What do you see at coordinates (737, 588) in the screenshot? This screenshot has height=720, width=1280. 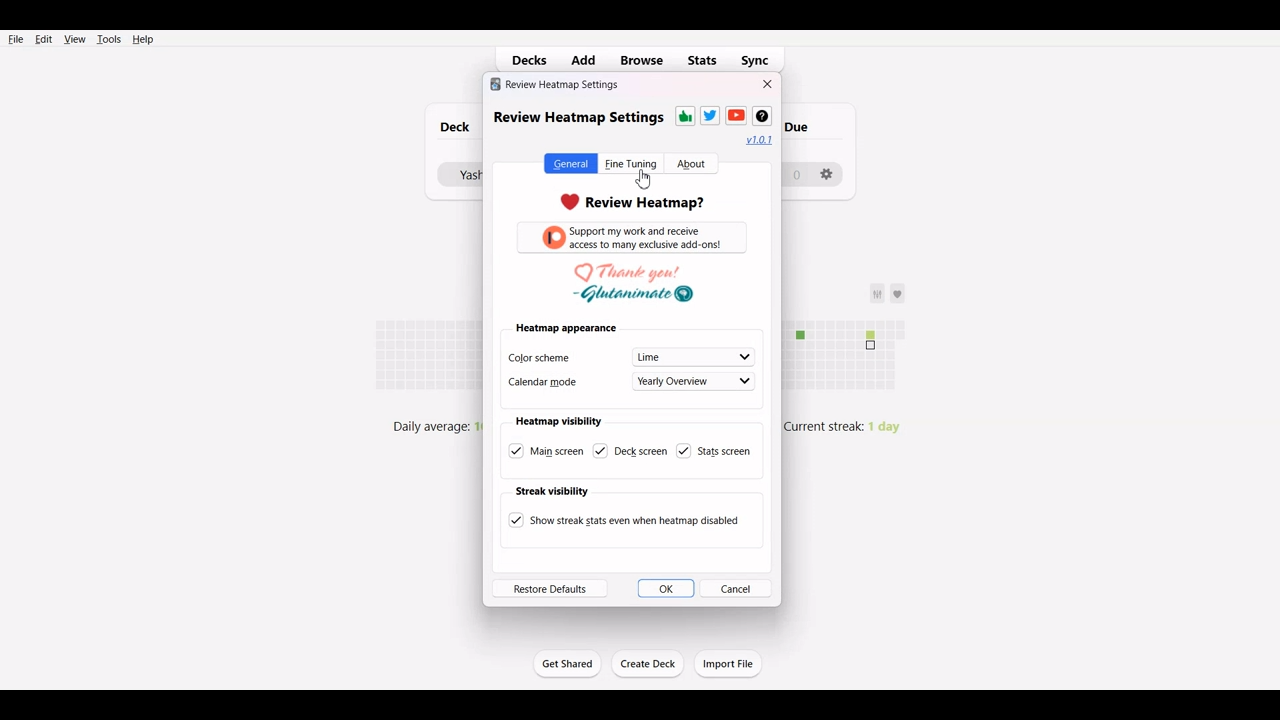 I see `Cancel` at bounding box center [737, 588].